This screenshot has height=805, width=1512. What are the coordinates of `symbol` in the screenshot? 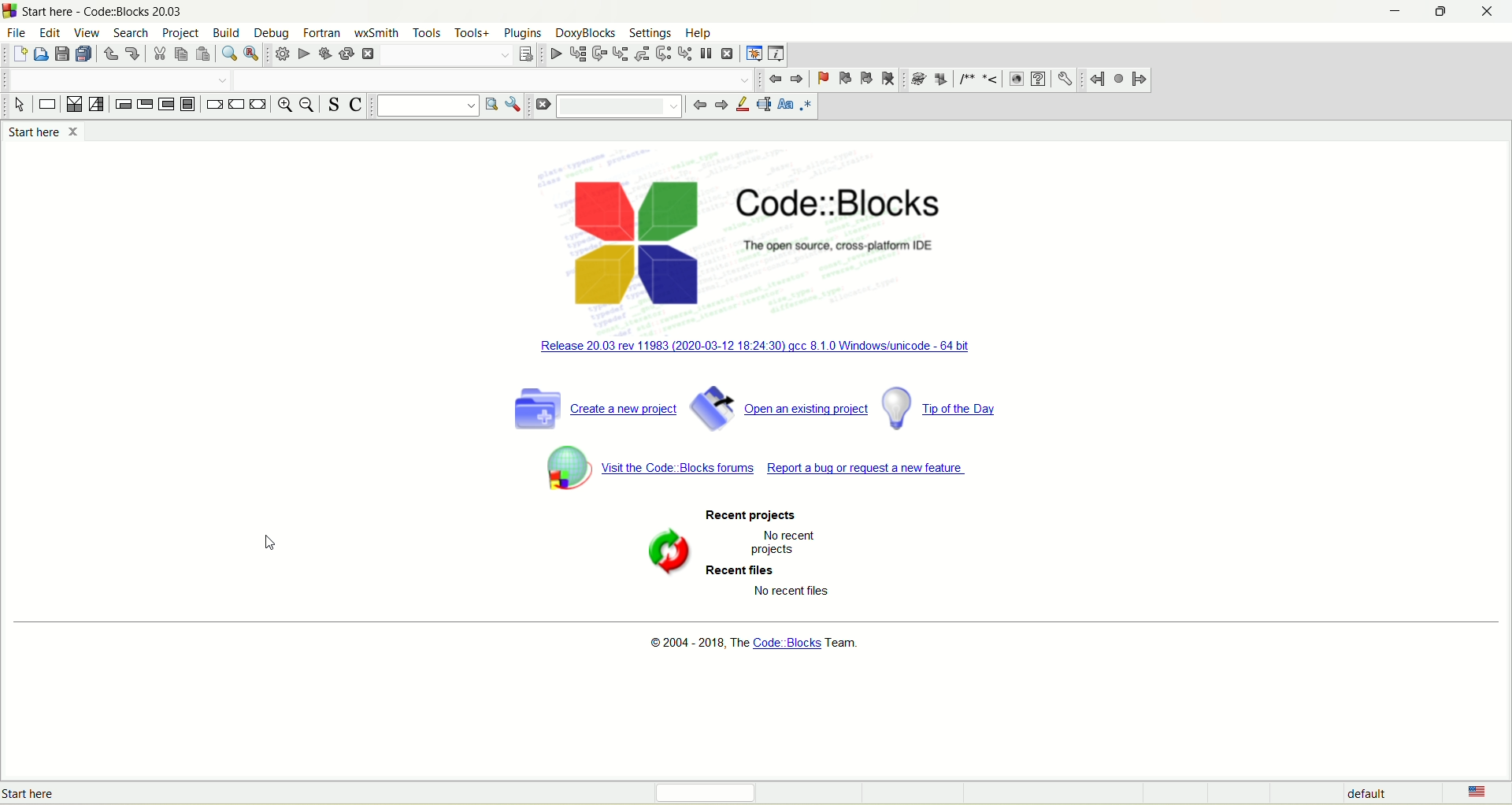 It's located at (665, 548).